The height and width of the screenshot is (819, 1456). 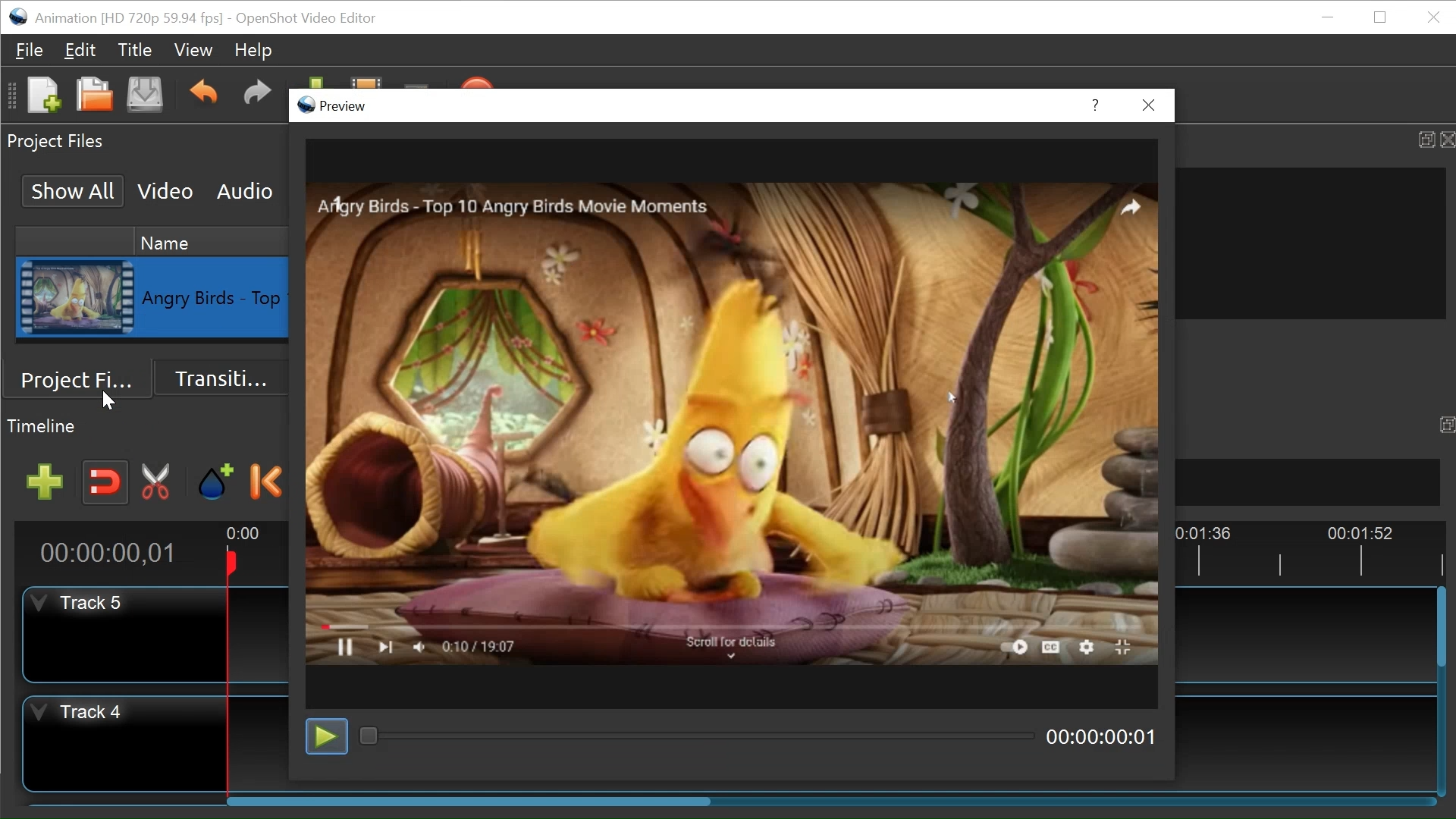 What do you see at coordinates (1423, 136) in the screenshot?
I see `Maximize` at bounding box center [1423, 136].